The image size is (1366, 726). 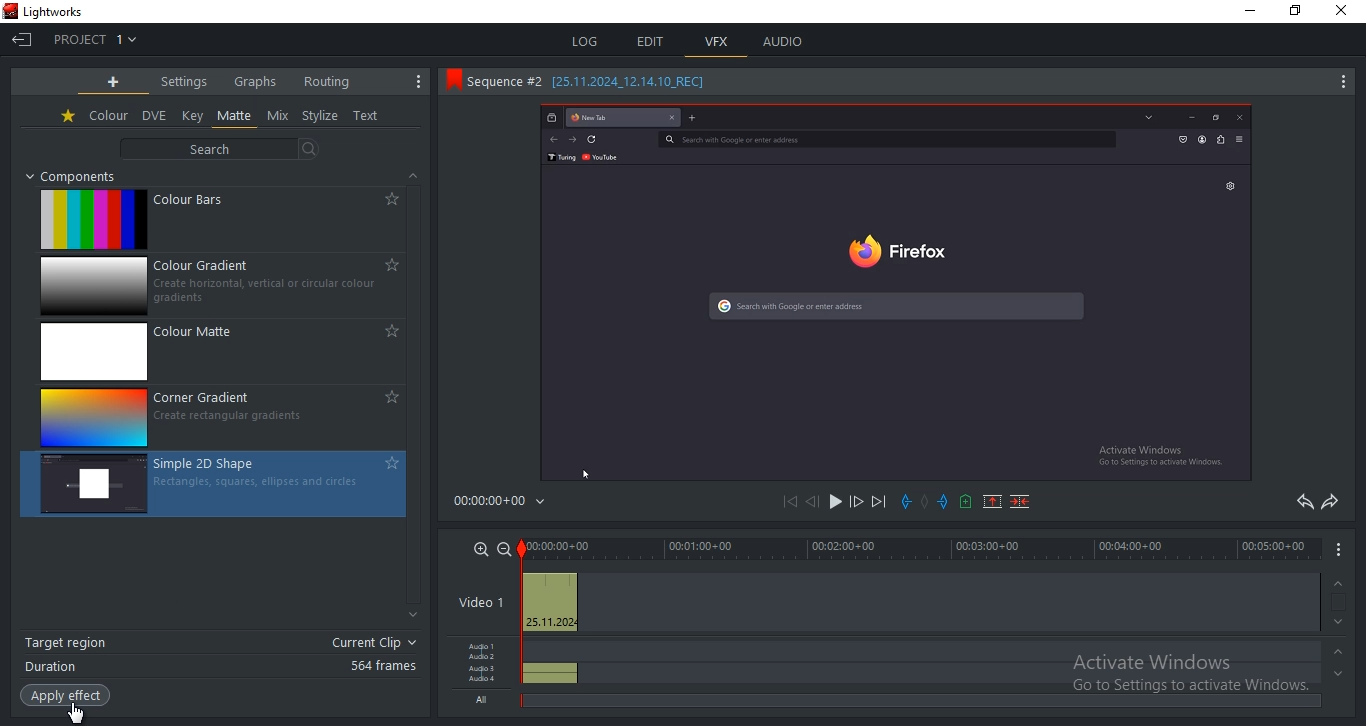 I want to click on next, so click(x=879, y=502).